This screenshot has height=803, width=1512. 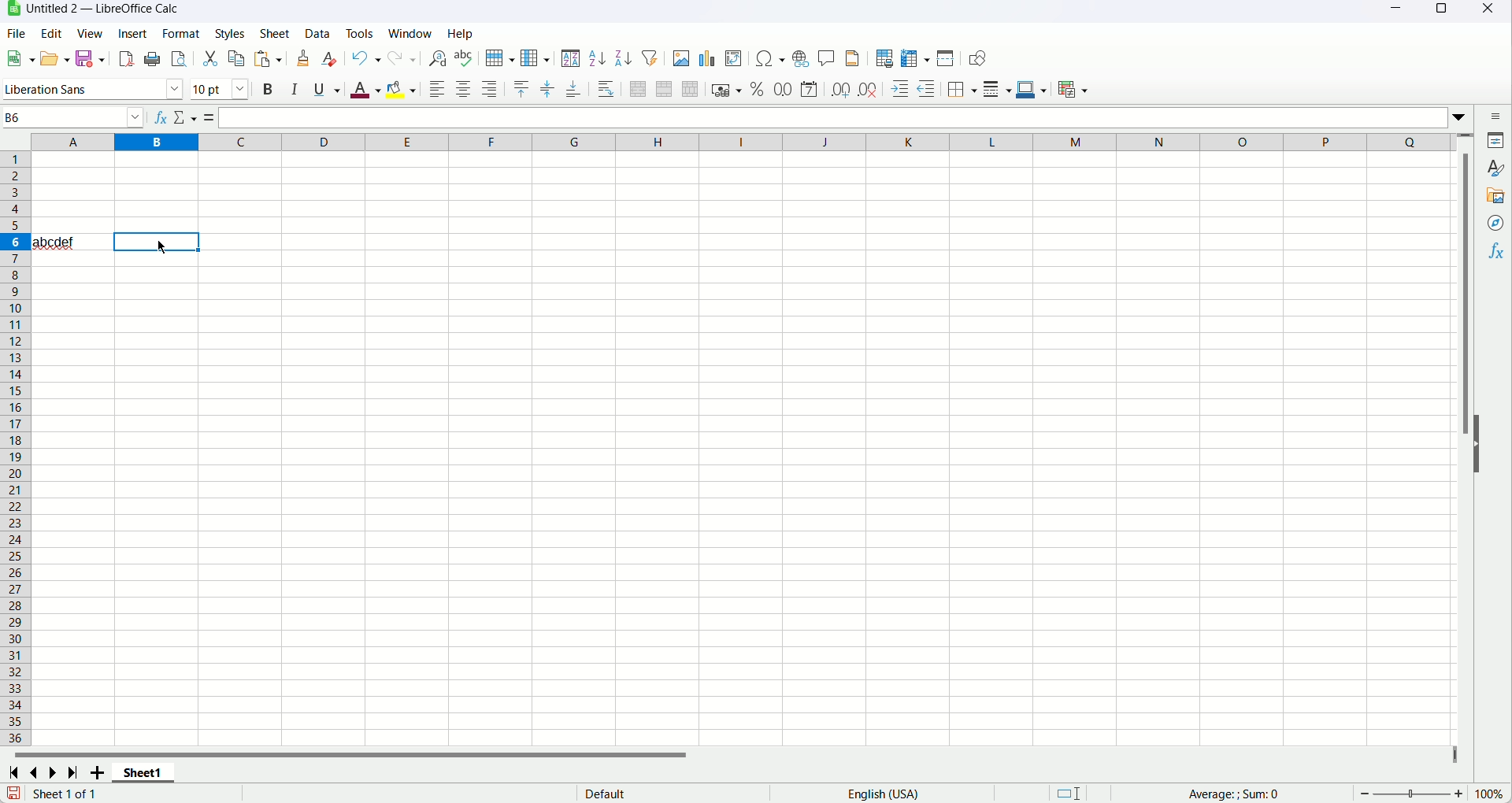 What do you see at coordinates (604, 793) in the screenshot?
I see `default` at bounding box center [604, 793].